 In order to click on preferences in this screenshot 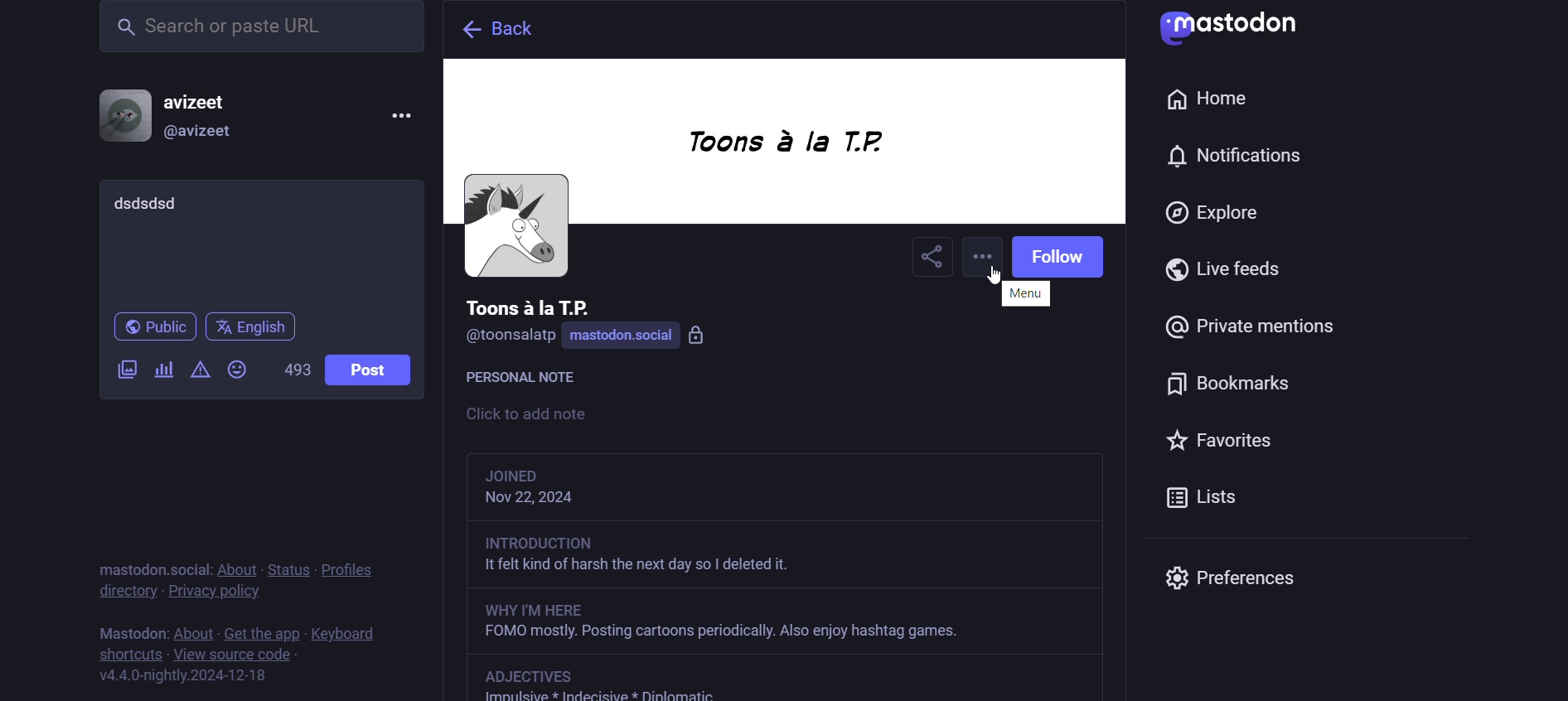, I will do `click(1232, 575)`.